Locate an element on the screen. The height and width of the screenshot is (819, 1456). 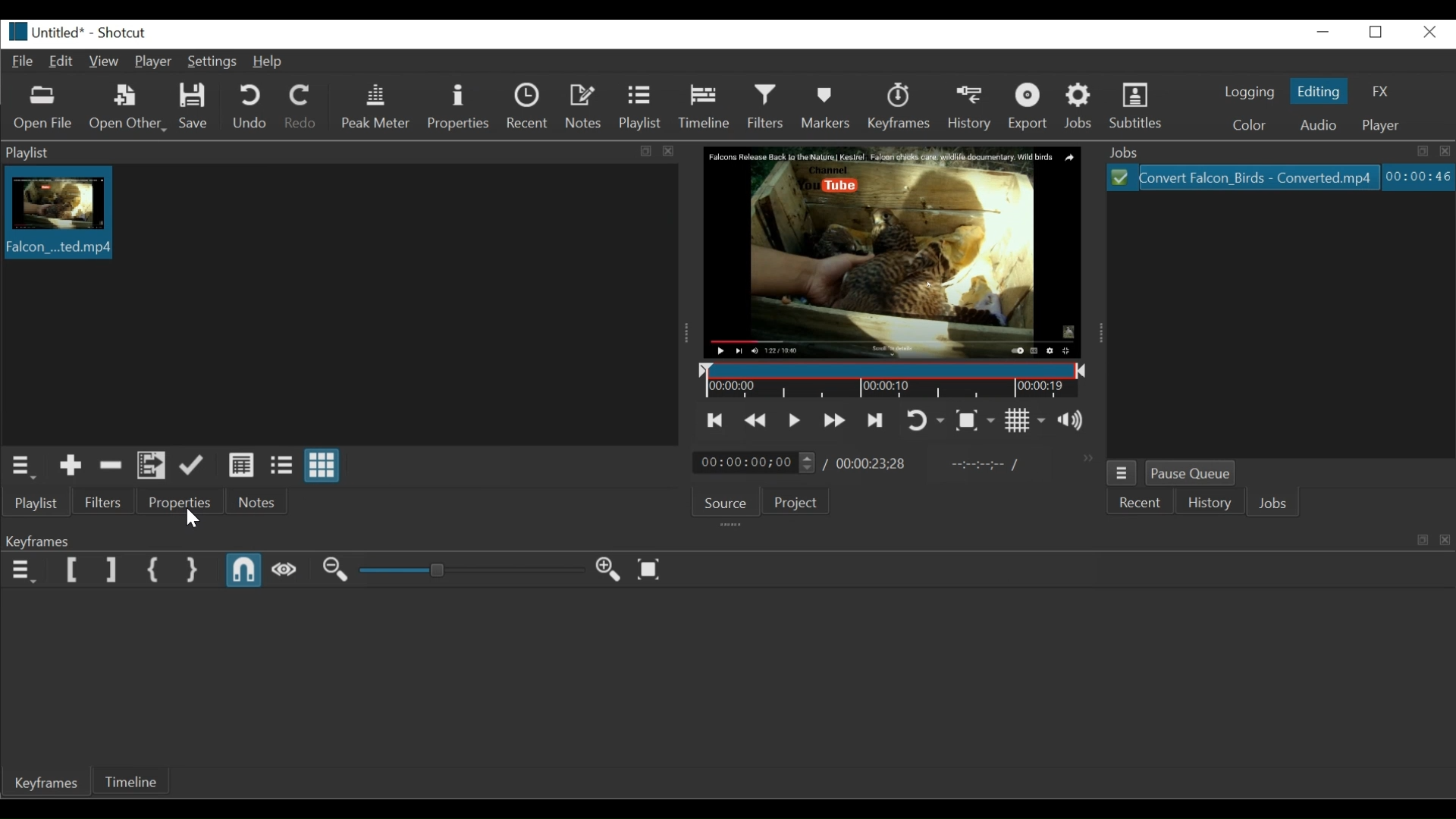
Pause Queue is located at coordinates (1194, 473).